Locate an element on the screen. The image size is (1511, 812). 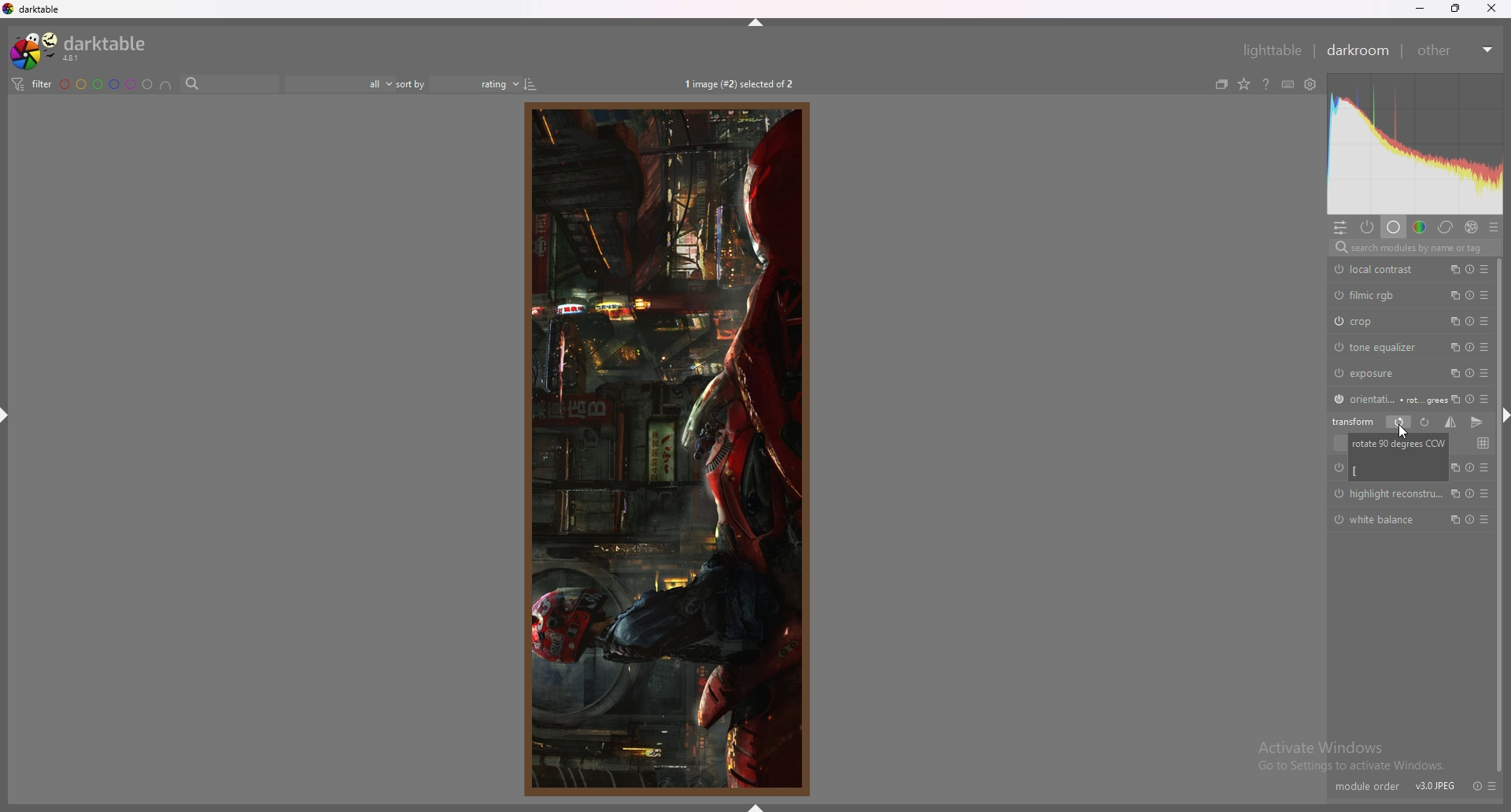
reset  is located at coordinates (1472, 466).